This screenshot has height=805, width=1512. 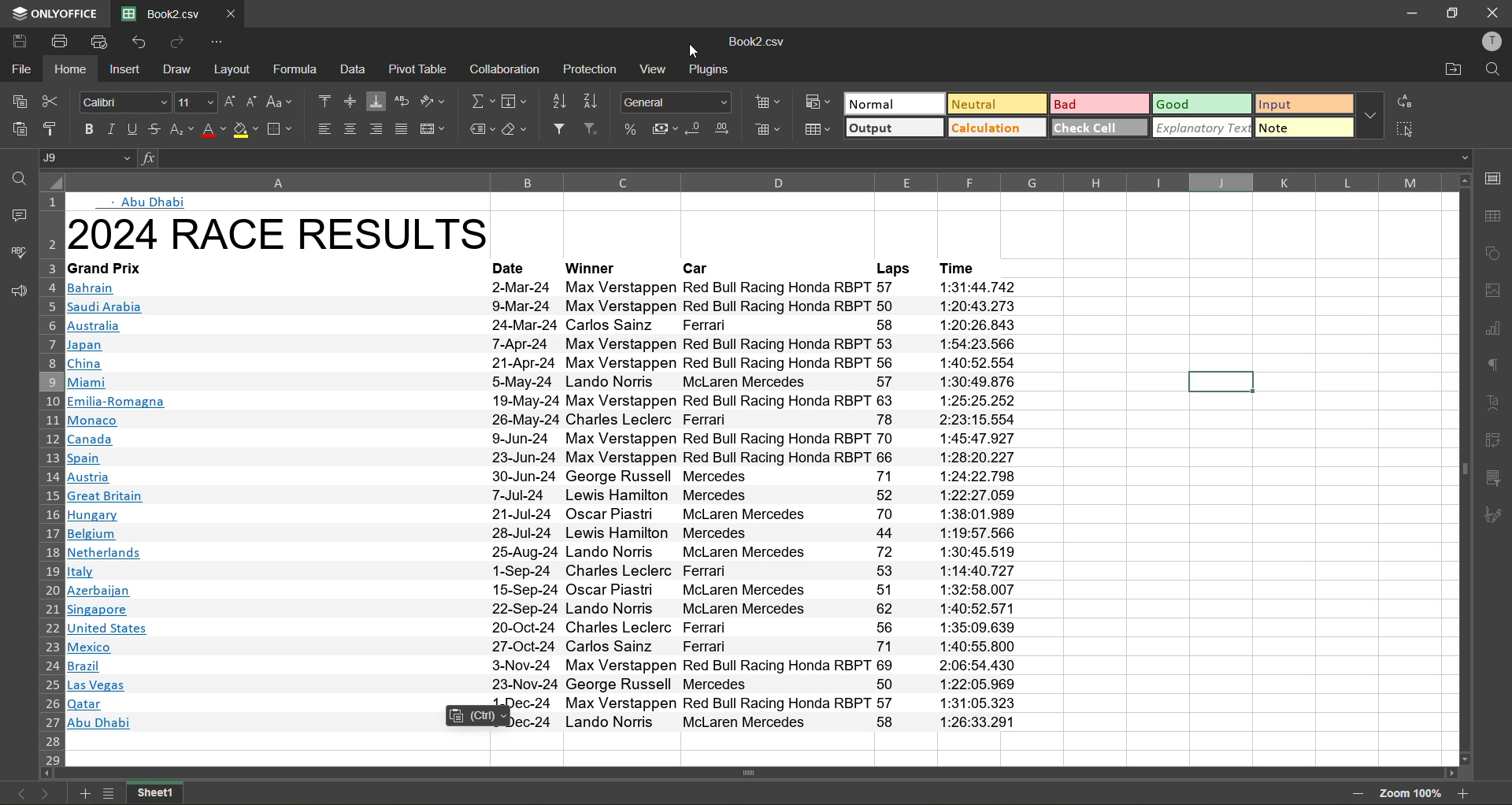 I want to click on cell address, so click(x=89, y=158).